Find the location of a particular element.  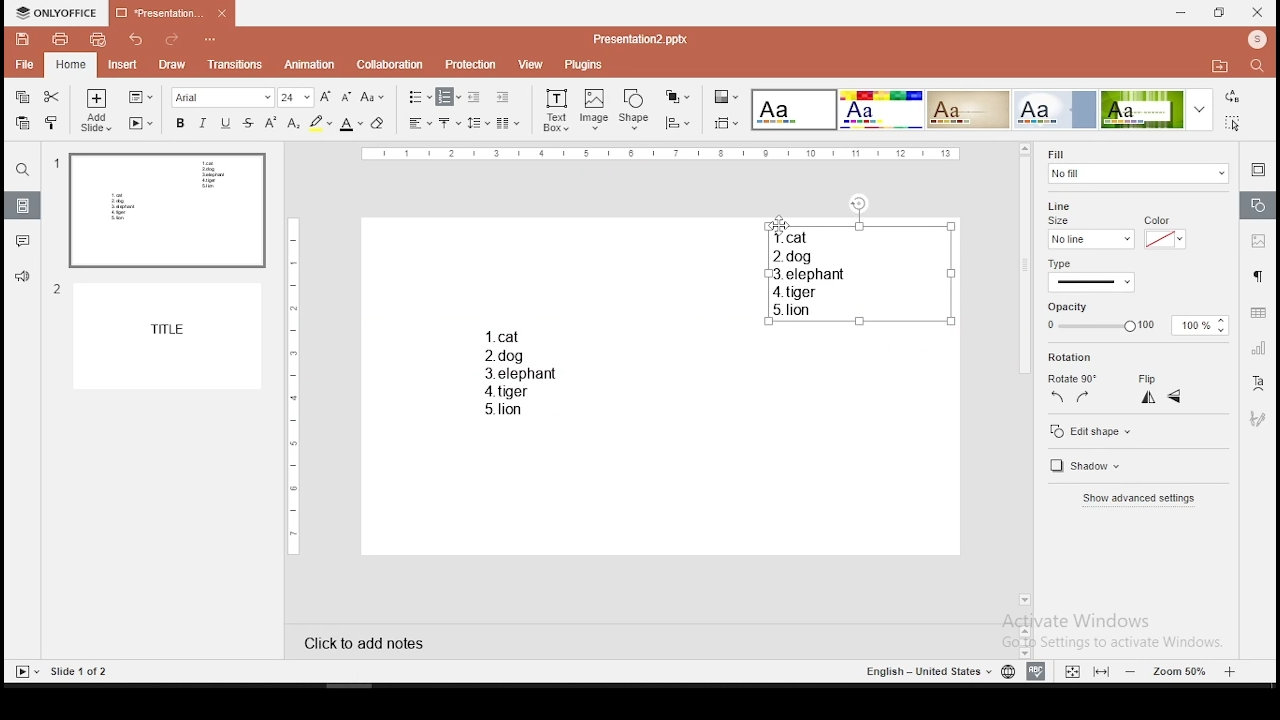

rotate 90 counterclockwise is located at coordinates (1059, 398).